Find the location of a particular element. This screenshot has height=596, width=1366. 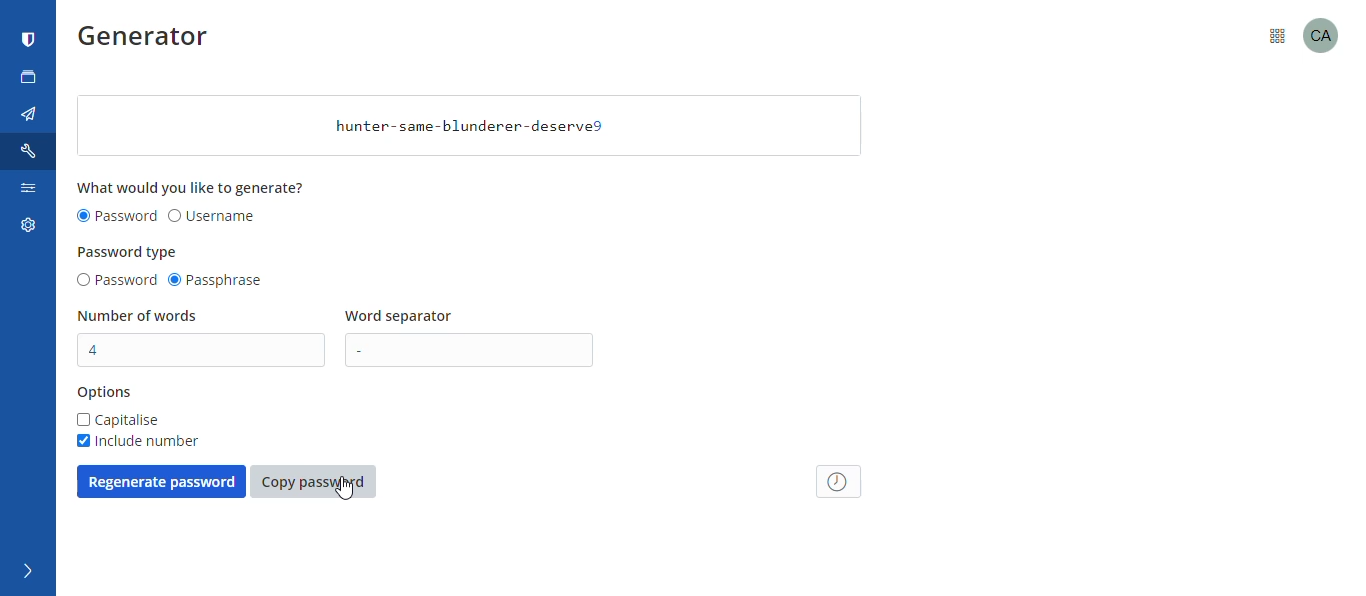

password radio button is located at coordinates (115, 281).